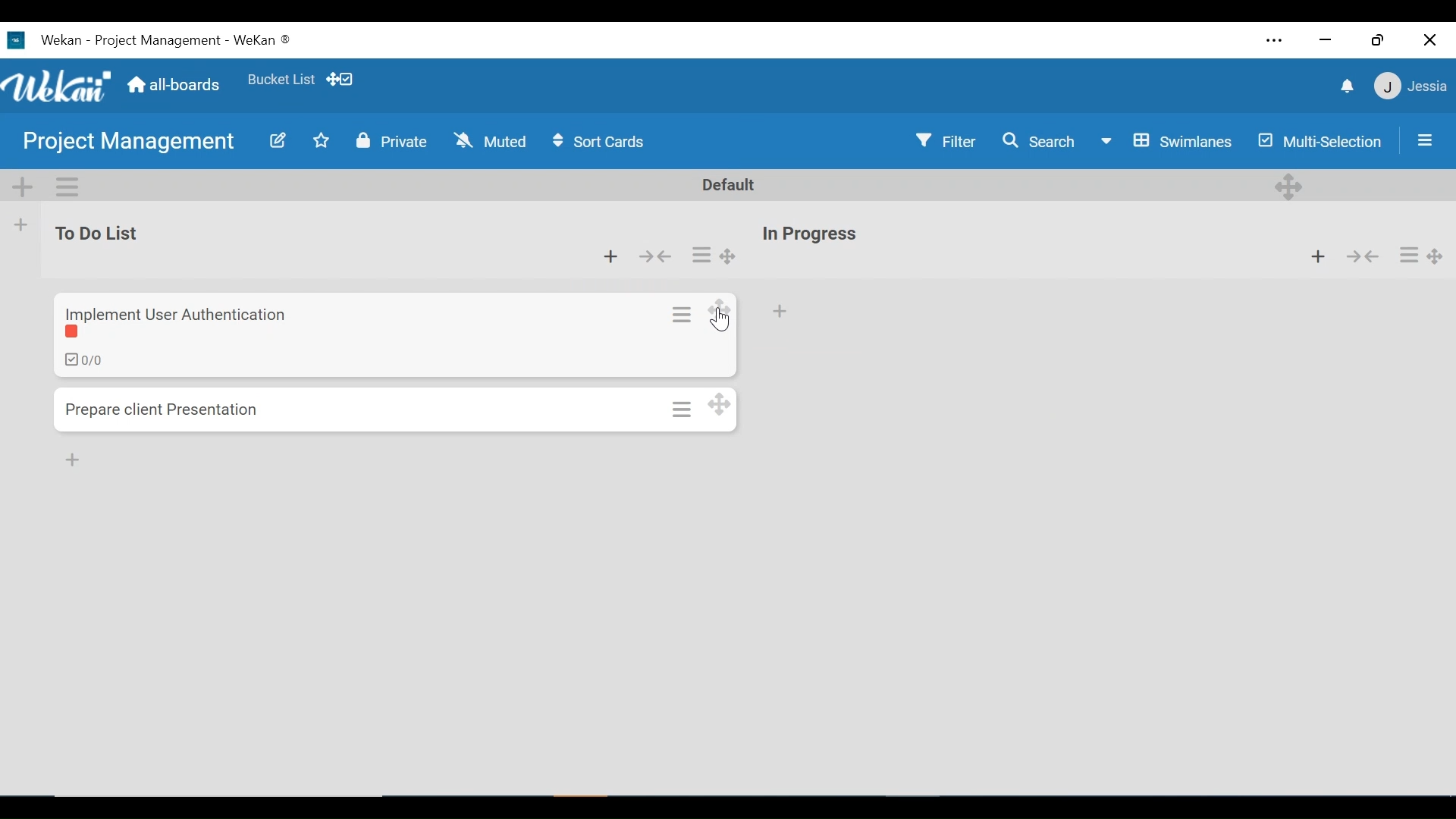  I want to click on Settings and more, so click(1276, 42).